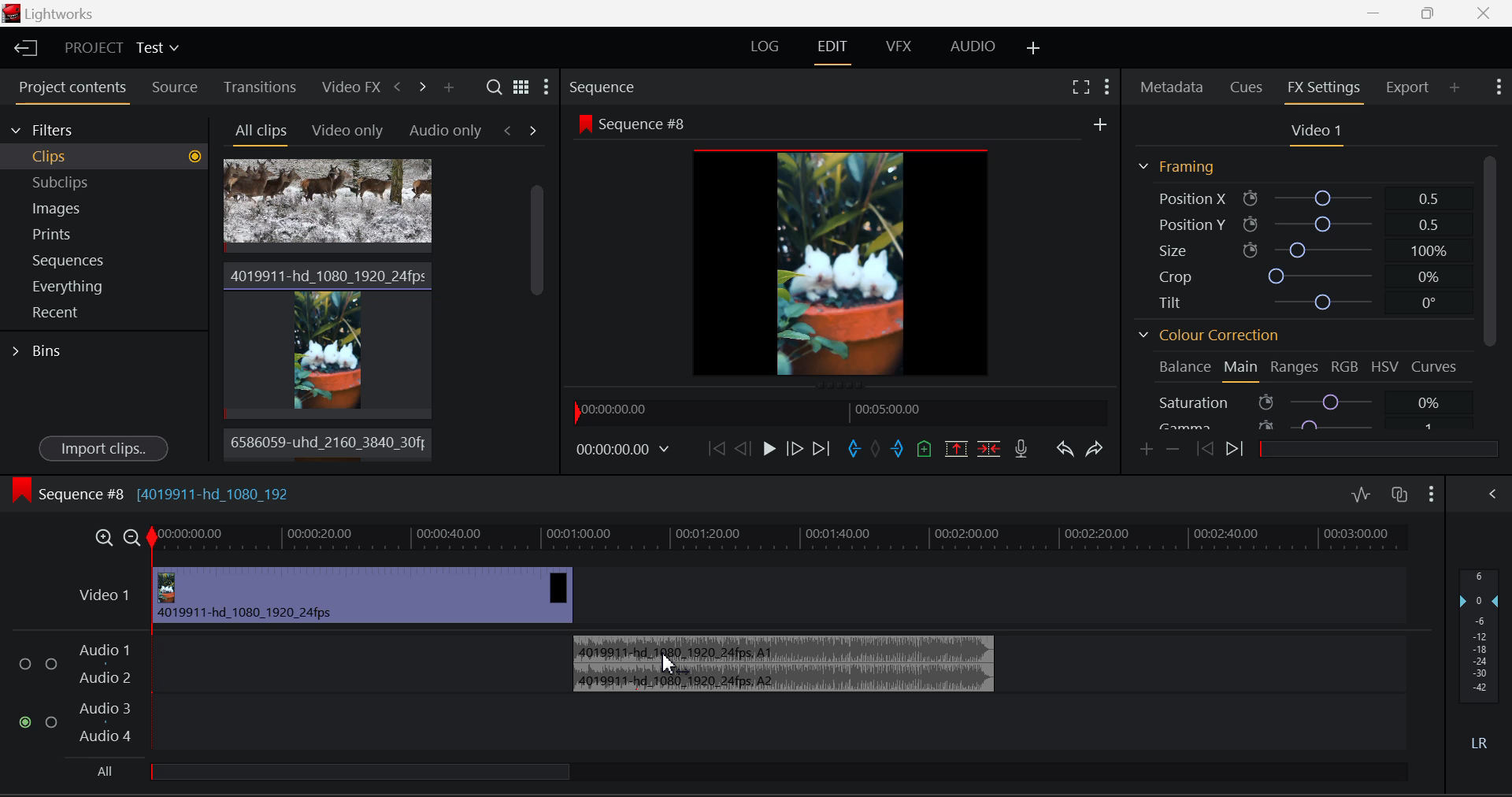 The height and width of the screenshot is (797, 1512). I want to click on Scroll Bar, so click(1492, 287).